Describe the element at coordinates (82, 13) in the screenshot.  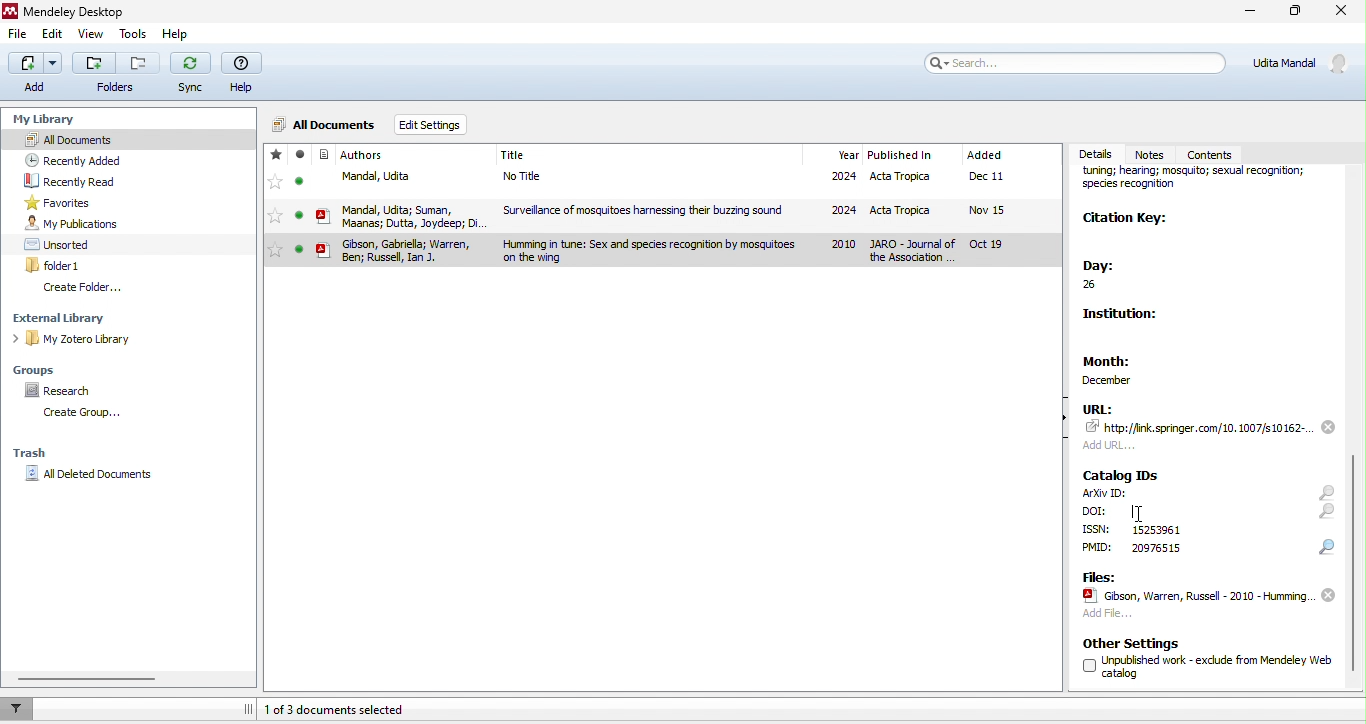
I see `Mendeley Desktop` at that location.